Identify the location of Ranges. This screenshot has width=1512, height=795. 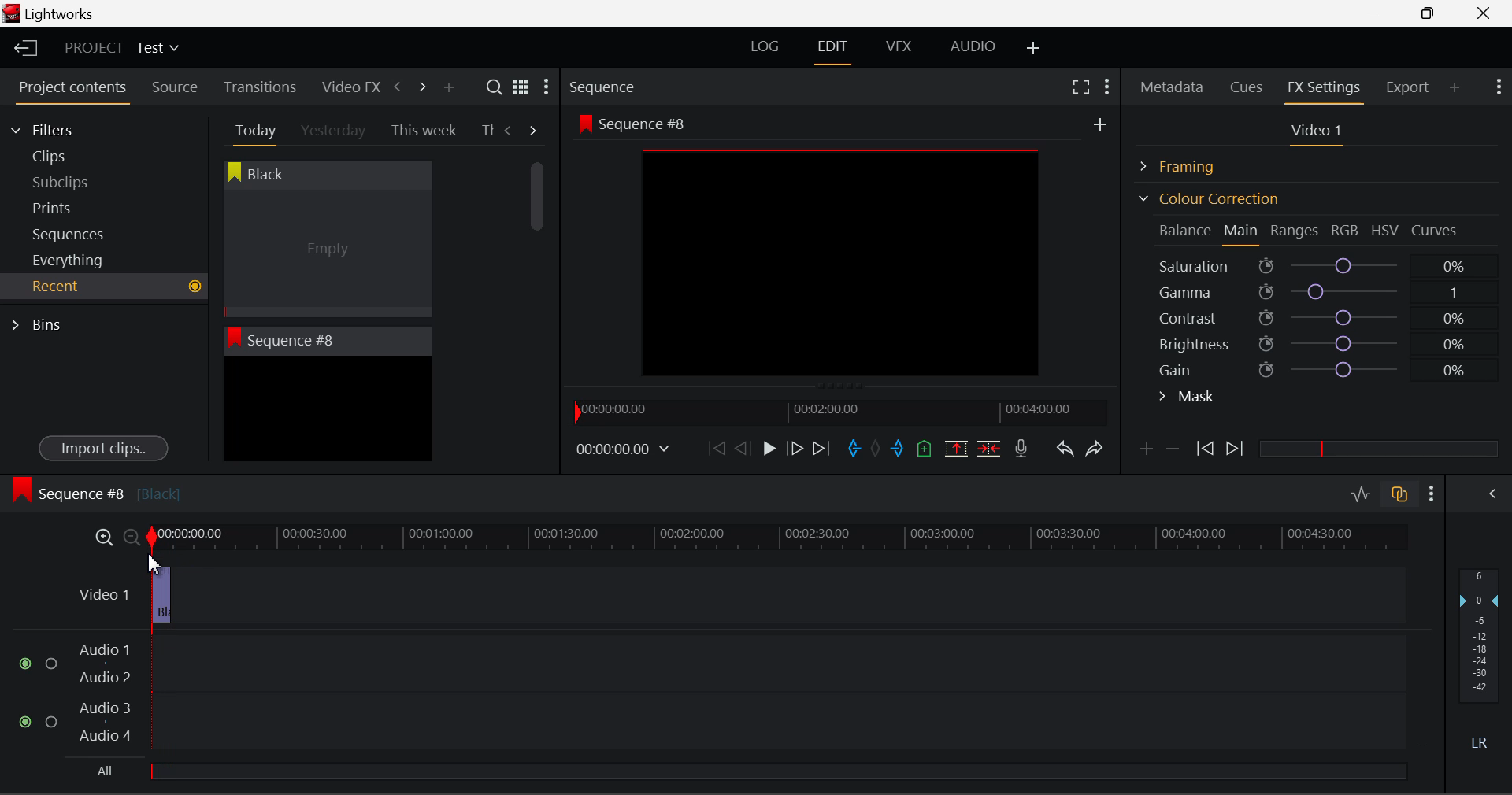
(1295, 232).